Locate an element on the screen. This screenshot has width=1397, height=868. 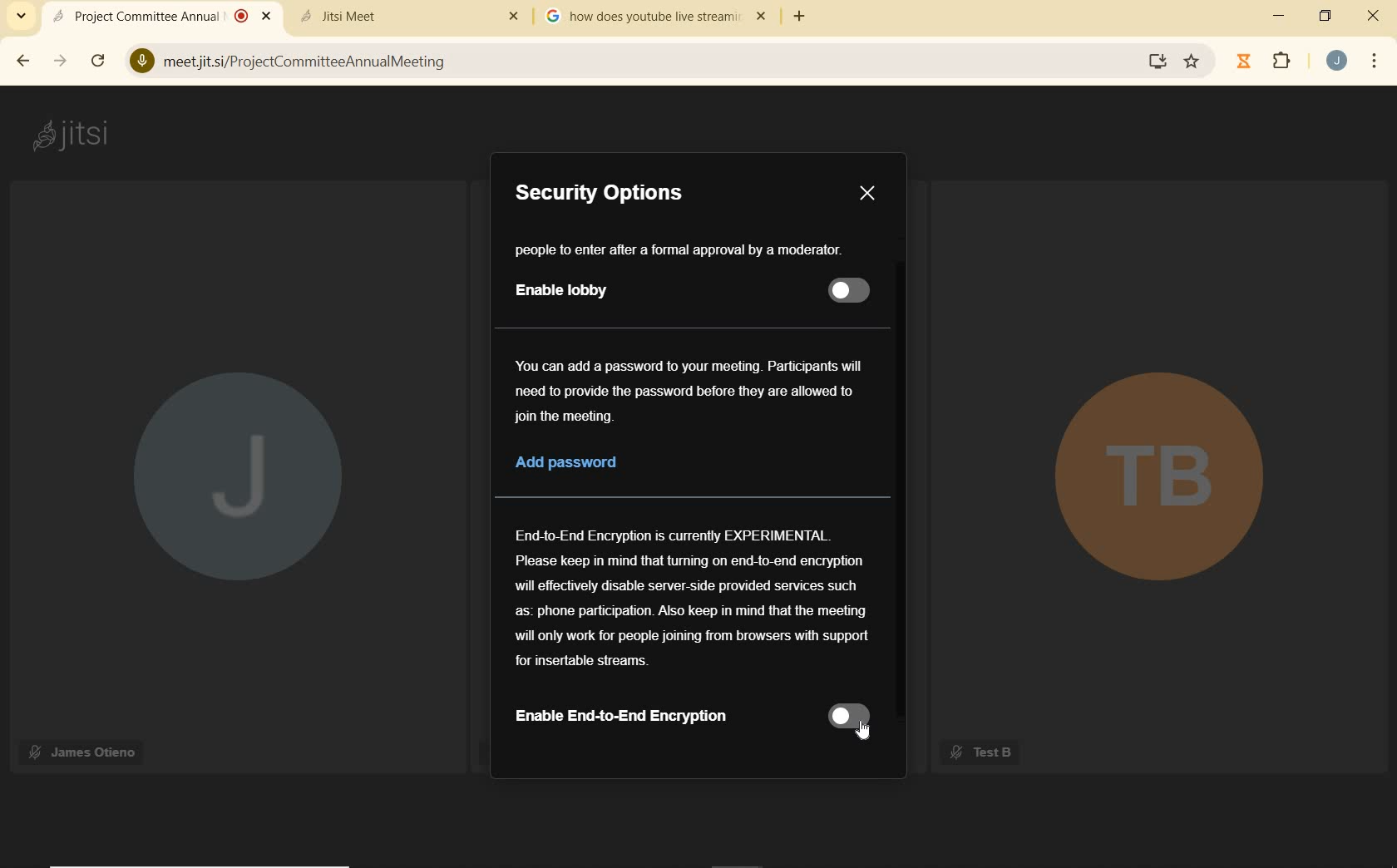
RESTORE DOWN is located at coordinates (1325, 16).